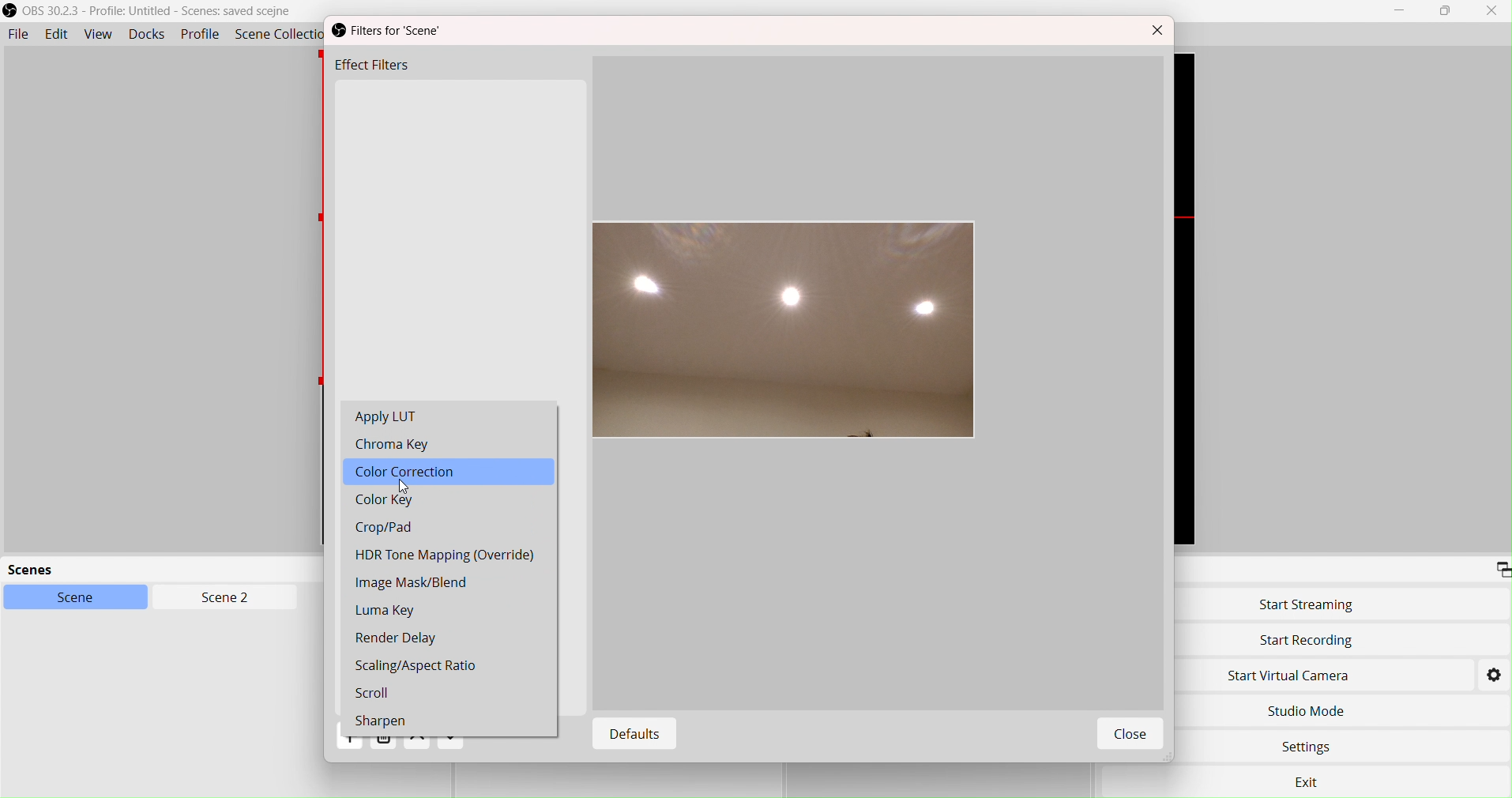  I want to click on Settings, so click(1310, 749).